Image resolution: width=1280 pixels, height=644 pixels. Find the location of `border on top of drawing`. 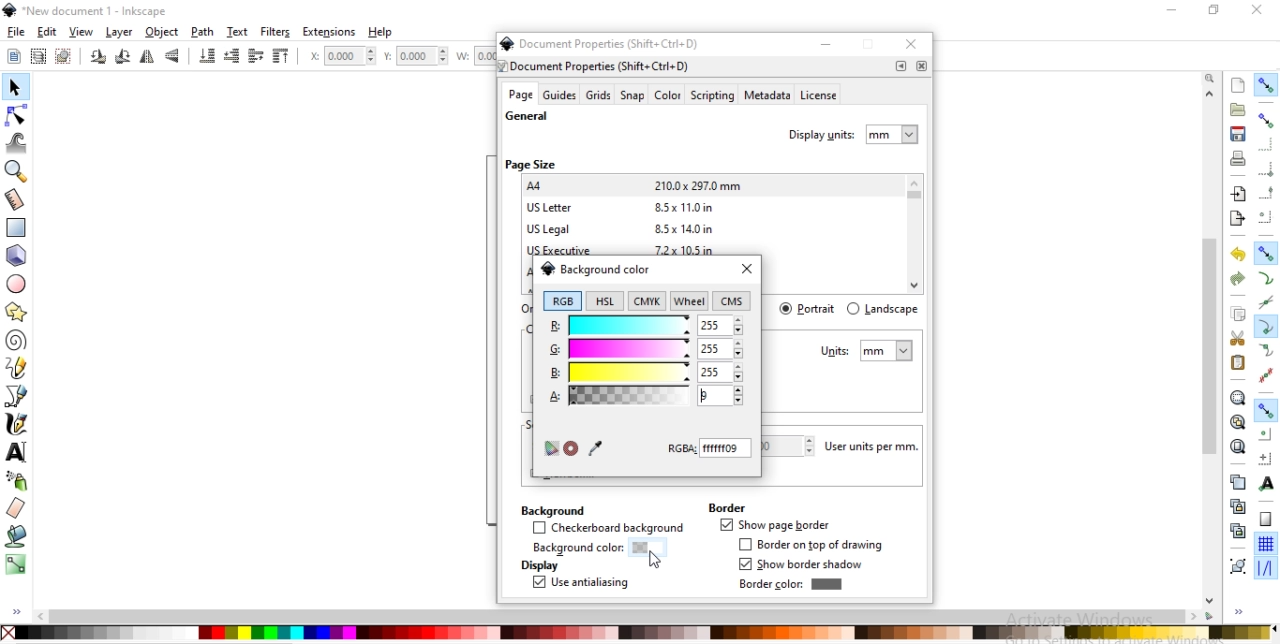

border on top of drawing is located at coordinates (815, 545).